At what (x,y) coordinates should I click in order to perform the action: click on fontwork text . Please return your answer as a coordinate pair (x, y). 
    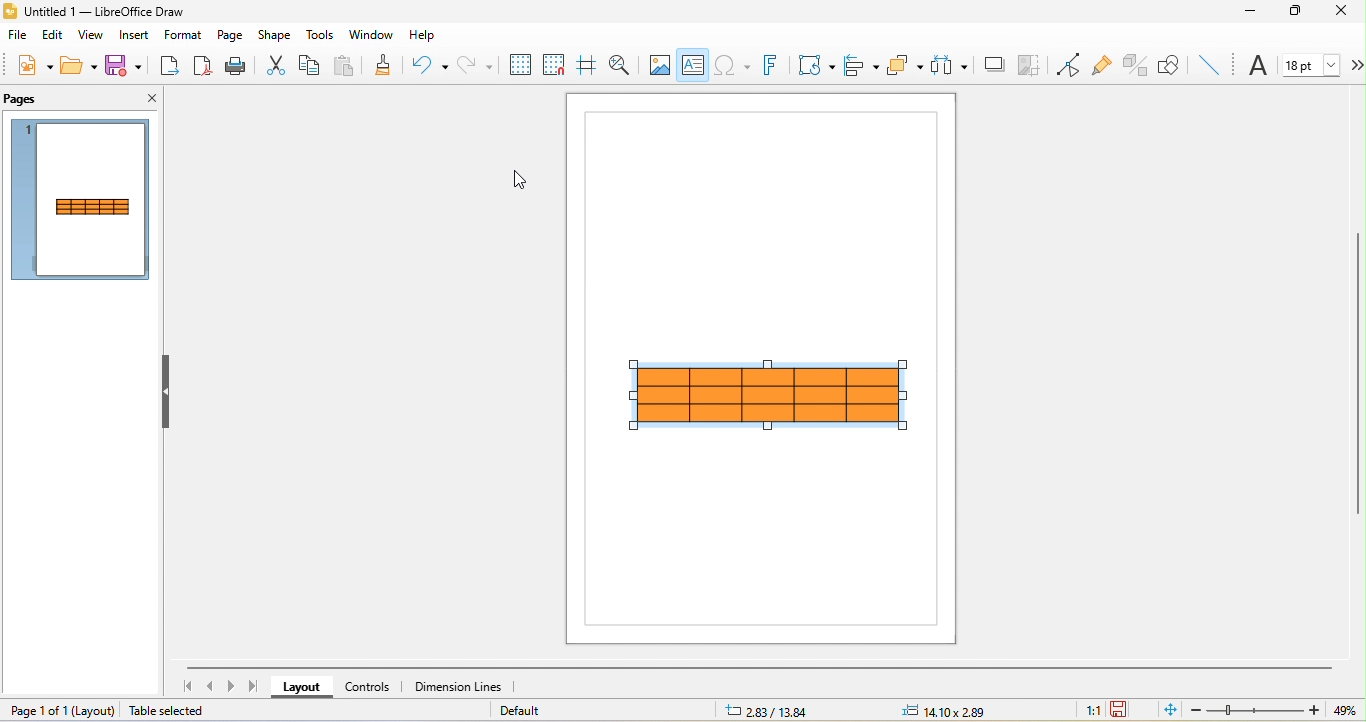
    Looking at the image, I should click on (771, 65).